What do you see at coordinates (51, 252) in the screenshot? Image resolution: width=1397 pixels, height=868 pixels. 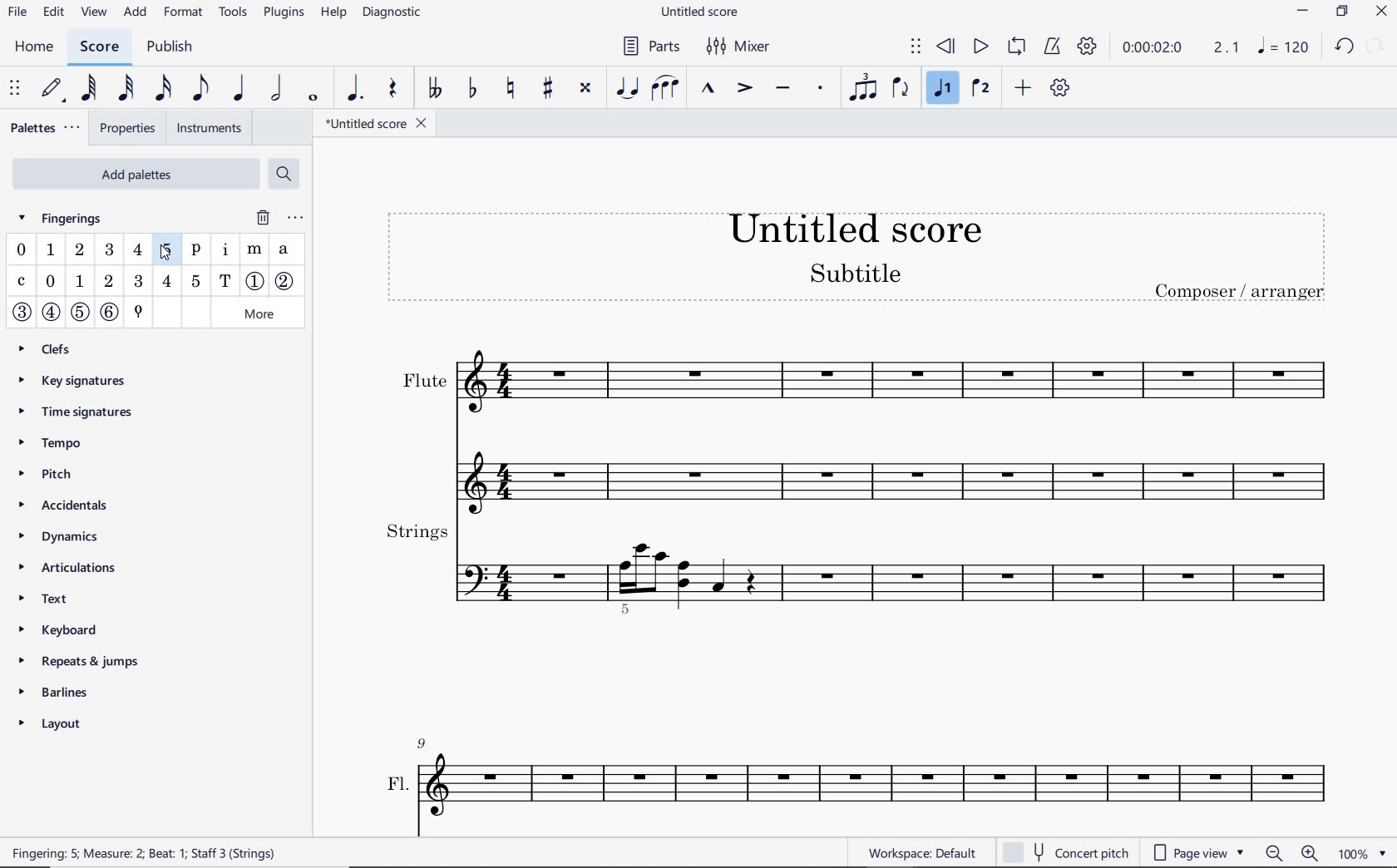 I see `fingering 1` at bounding box center [51, 252].